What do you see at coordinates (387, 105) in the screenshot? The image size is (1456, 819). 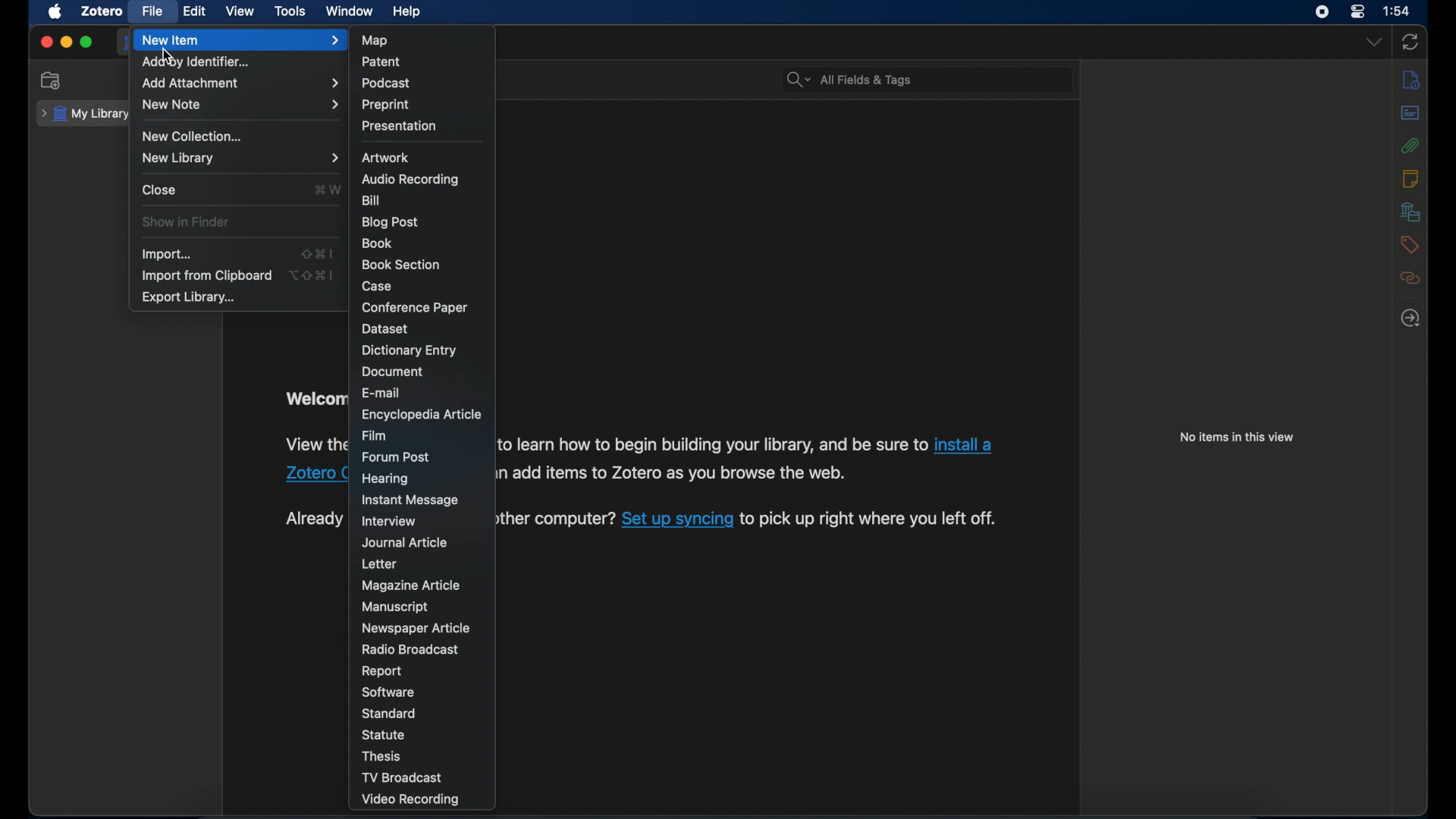 I see `preprint` at bounding box center [387, 105].